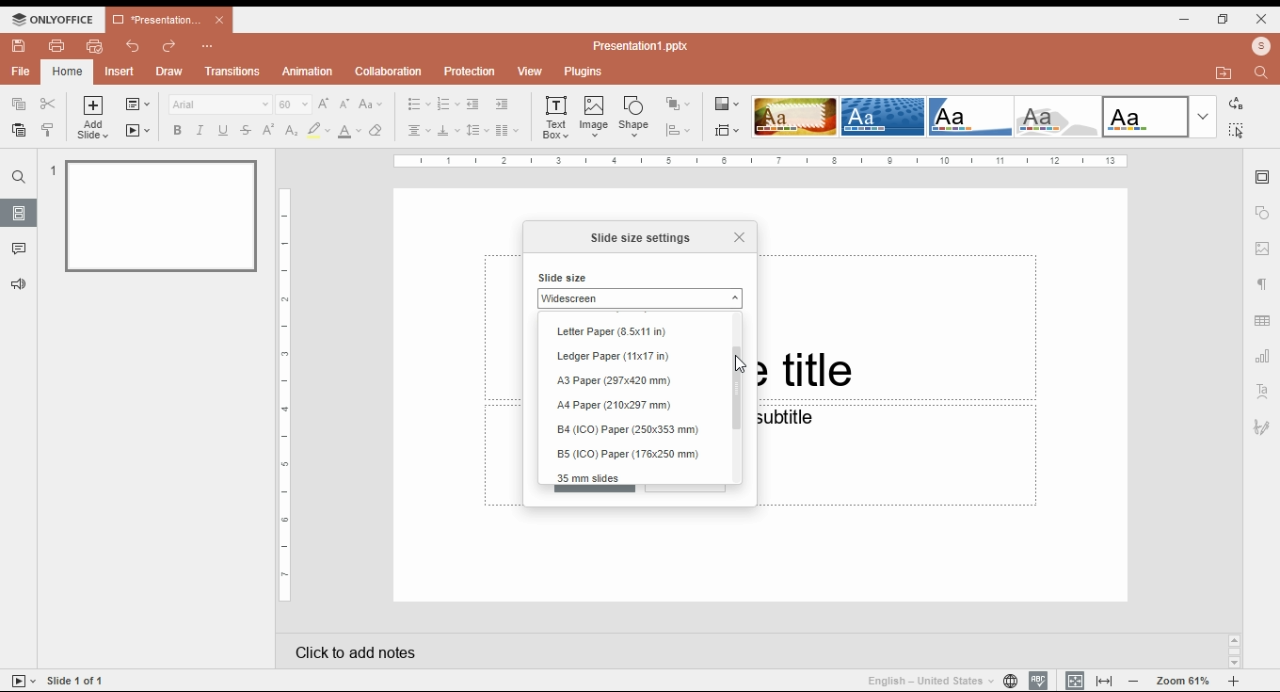  What do you see at coordinates (417, 132) in the screenshot?
I see `horizontal alignment` at bounding box center [417, 132].